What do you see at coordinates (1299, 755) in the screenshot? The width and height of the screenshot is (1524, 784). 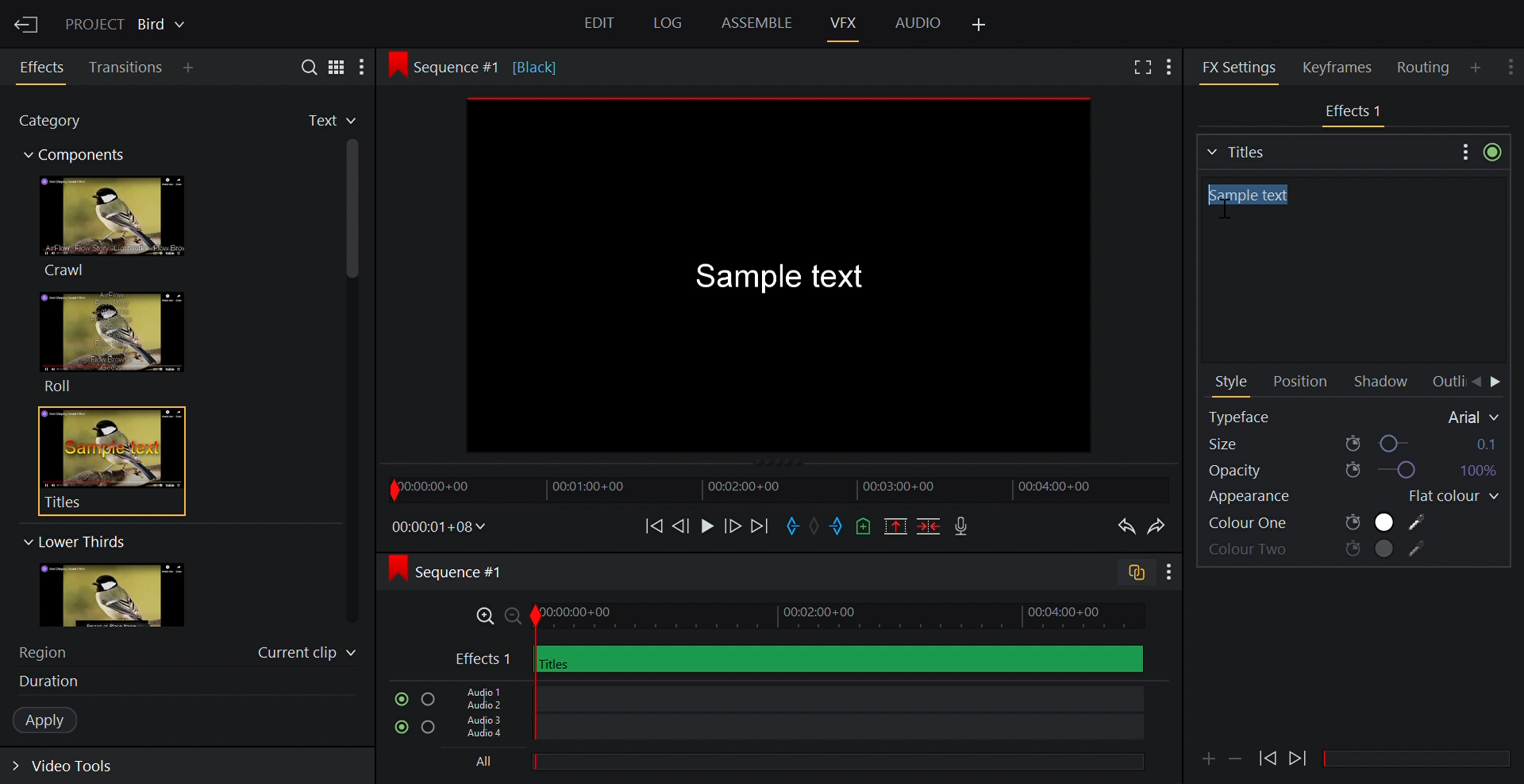 I see `Play Backward` at bounding box center [1299, 755].